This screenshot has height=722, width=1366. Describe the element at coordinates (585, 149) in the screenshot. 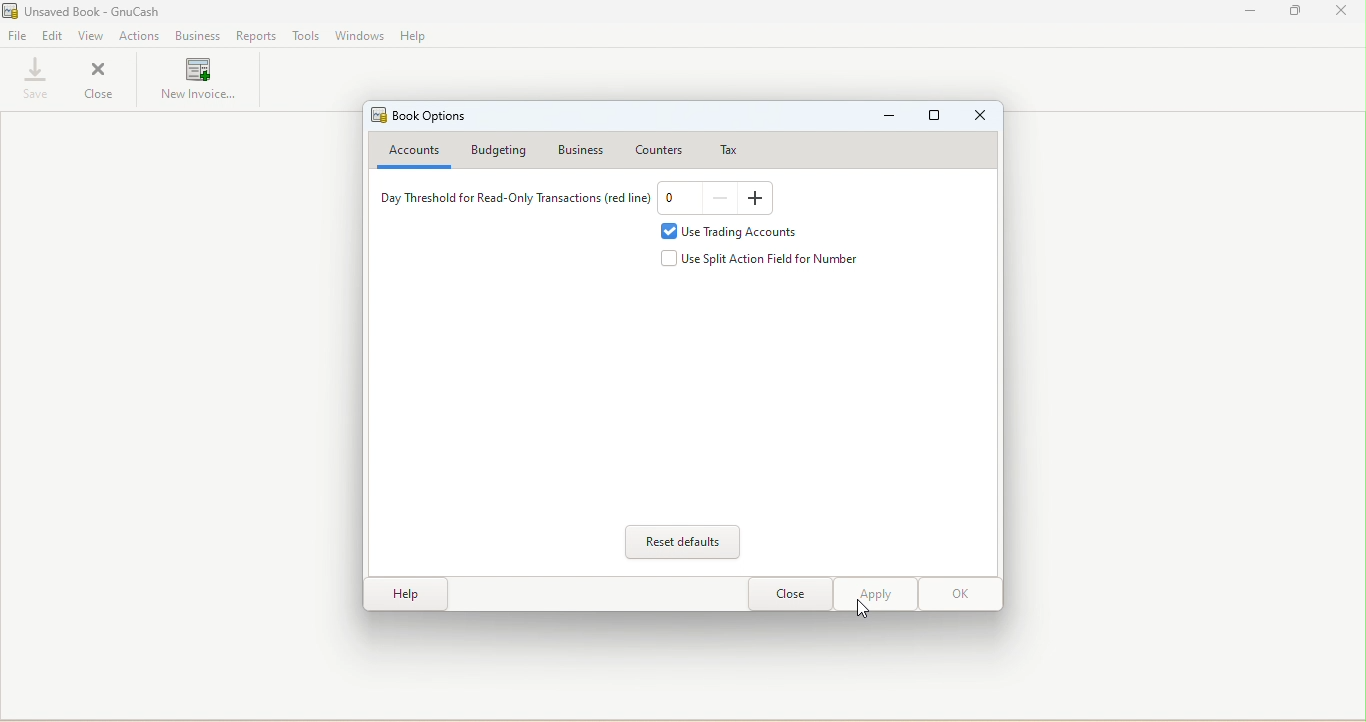

I see `Business` at that location.